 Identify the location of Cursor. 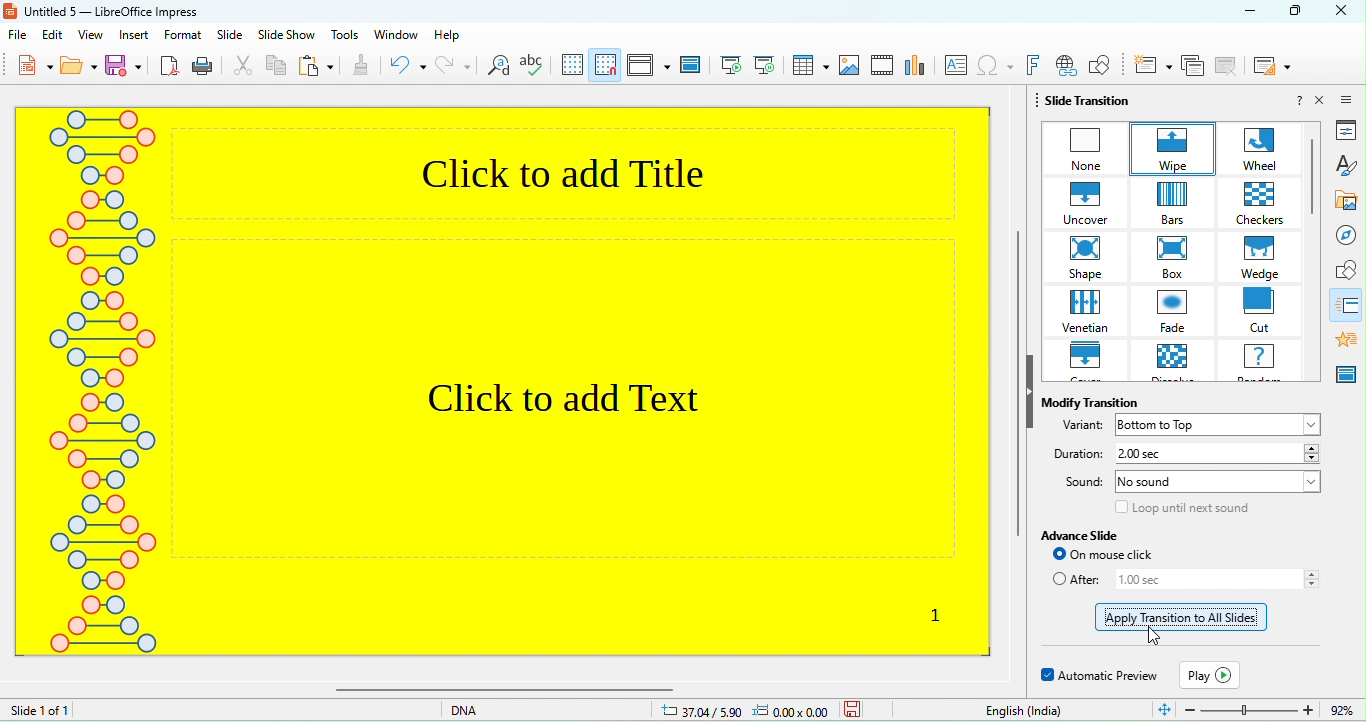
(1158, 638).